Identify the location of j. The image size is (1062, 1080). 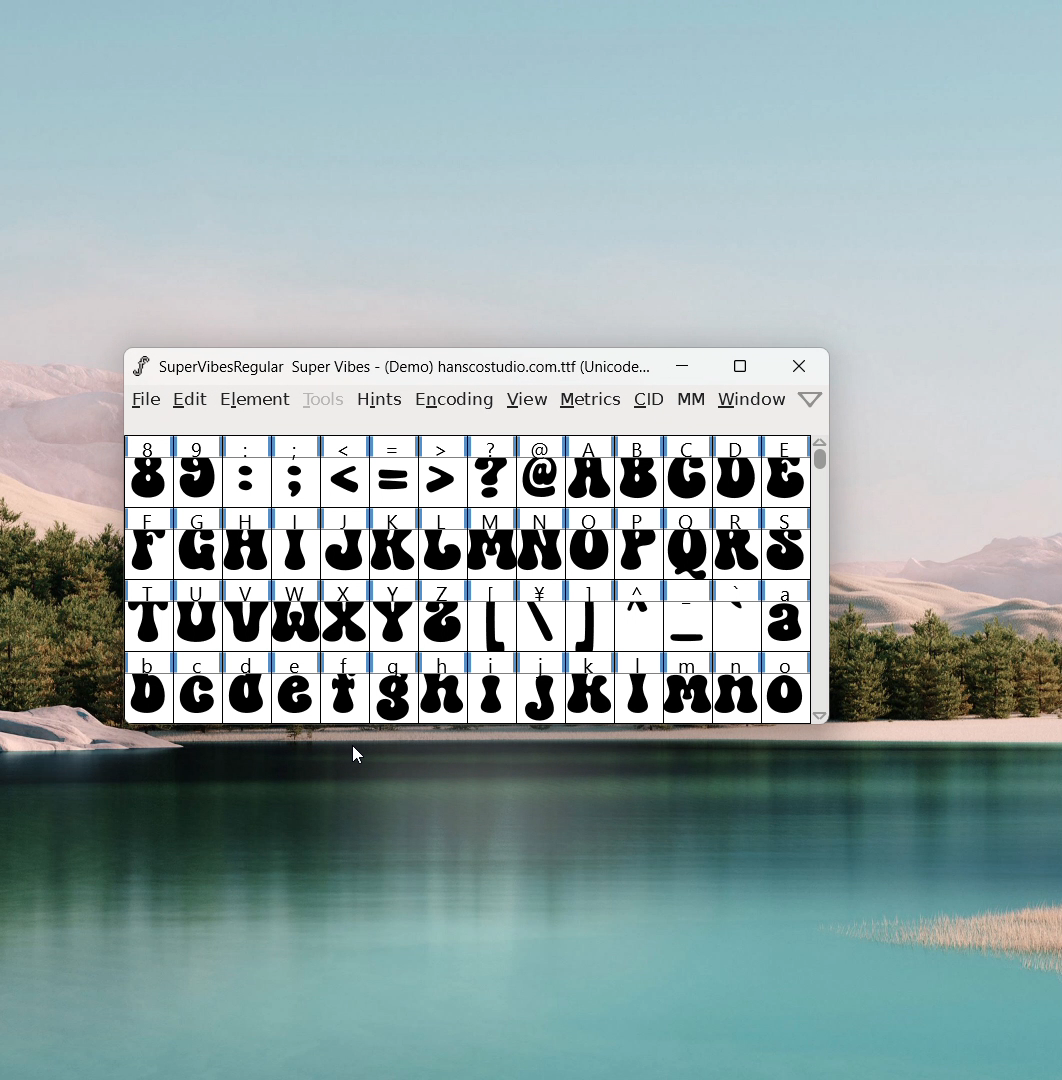
(543, 687).